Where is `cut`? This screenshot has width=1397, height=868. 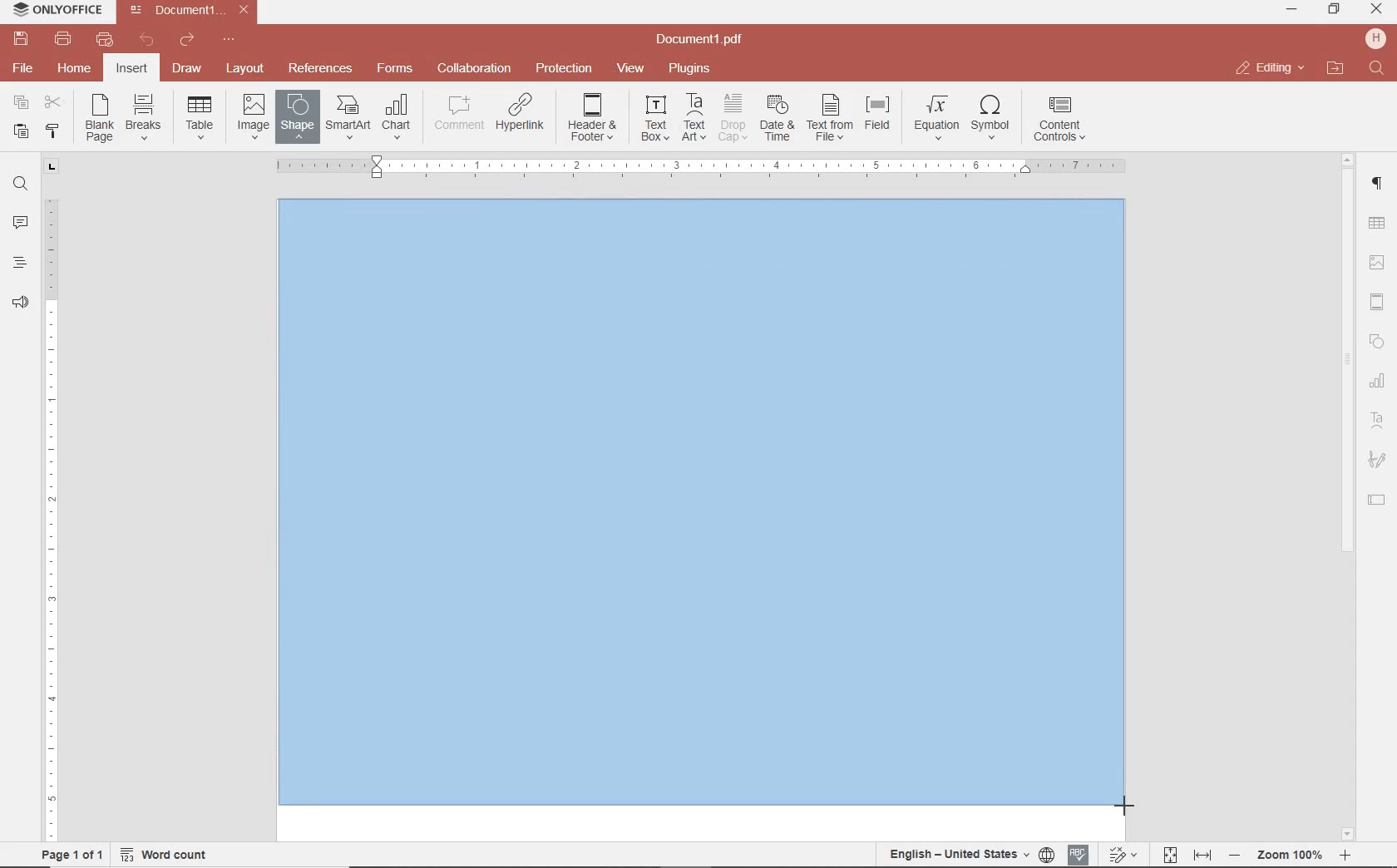 cut is located at coordinates (52, 104).